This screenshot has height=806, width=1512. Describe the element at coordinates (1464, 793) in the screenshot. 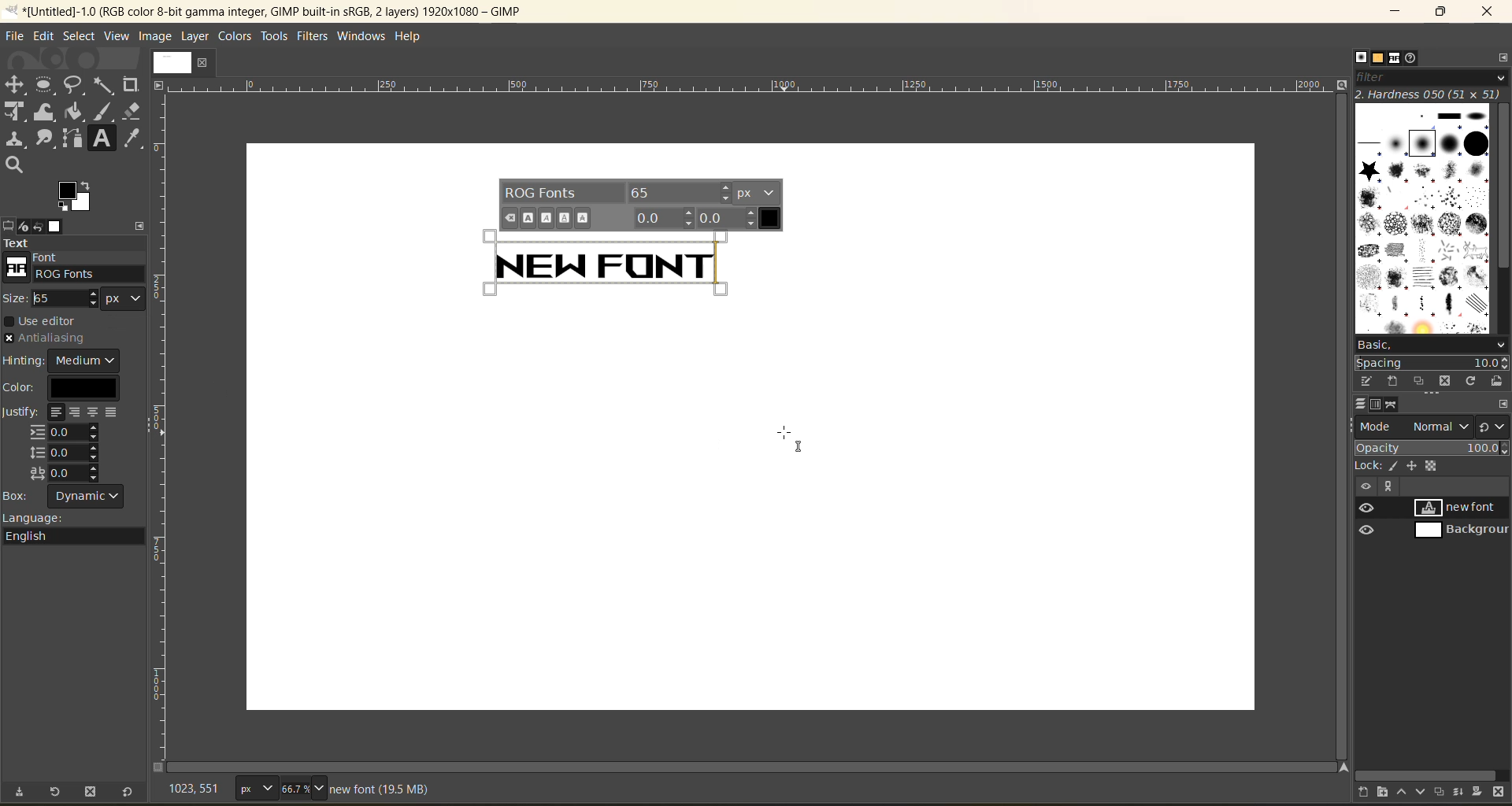

I see `merge this layer` at that location.